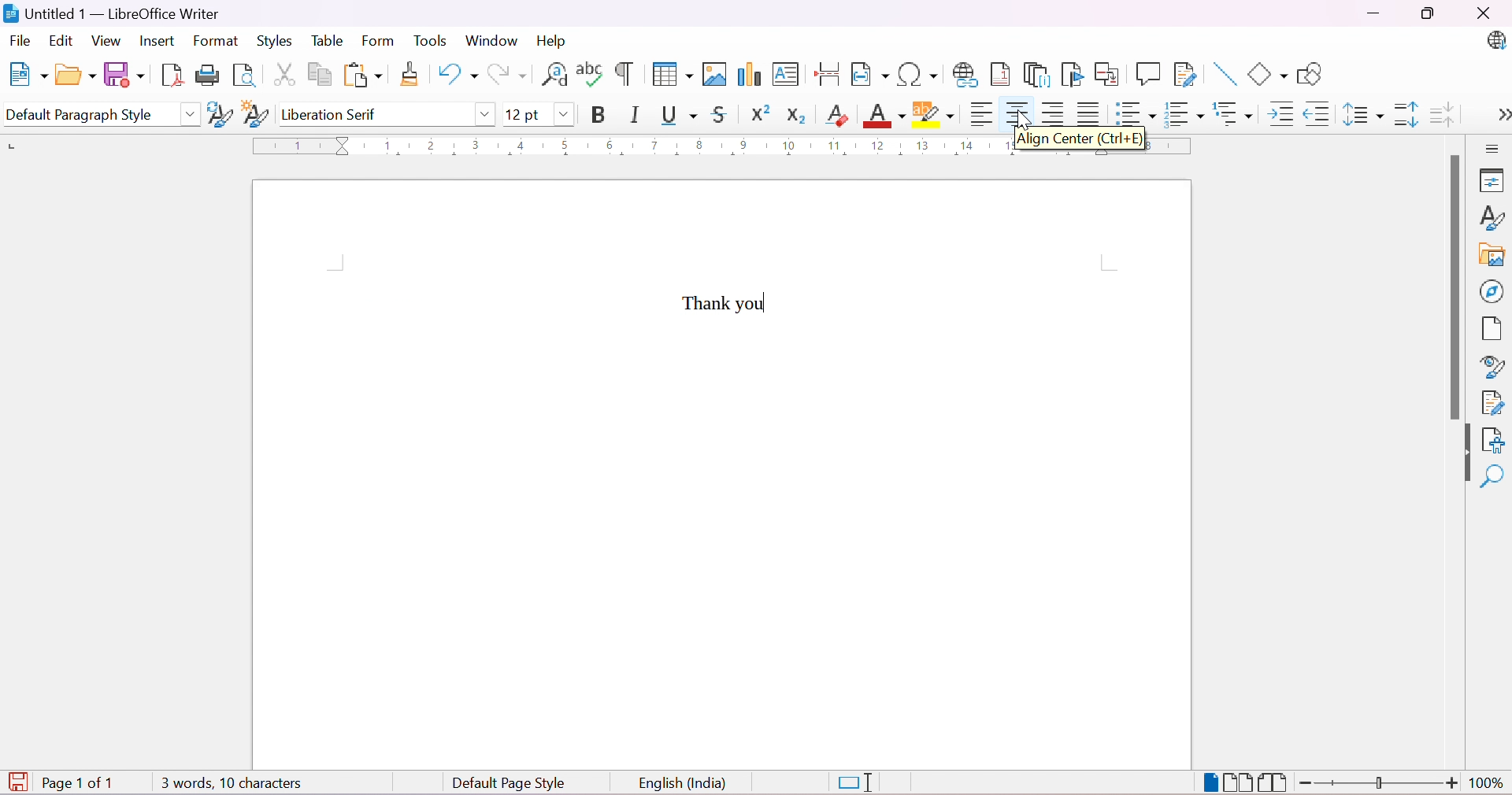  What do you see at coordinates (1034, 75) in the screenshot?
I see `Insert Endnote` at bounding box center [1034, 75].